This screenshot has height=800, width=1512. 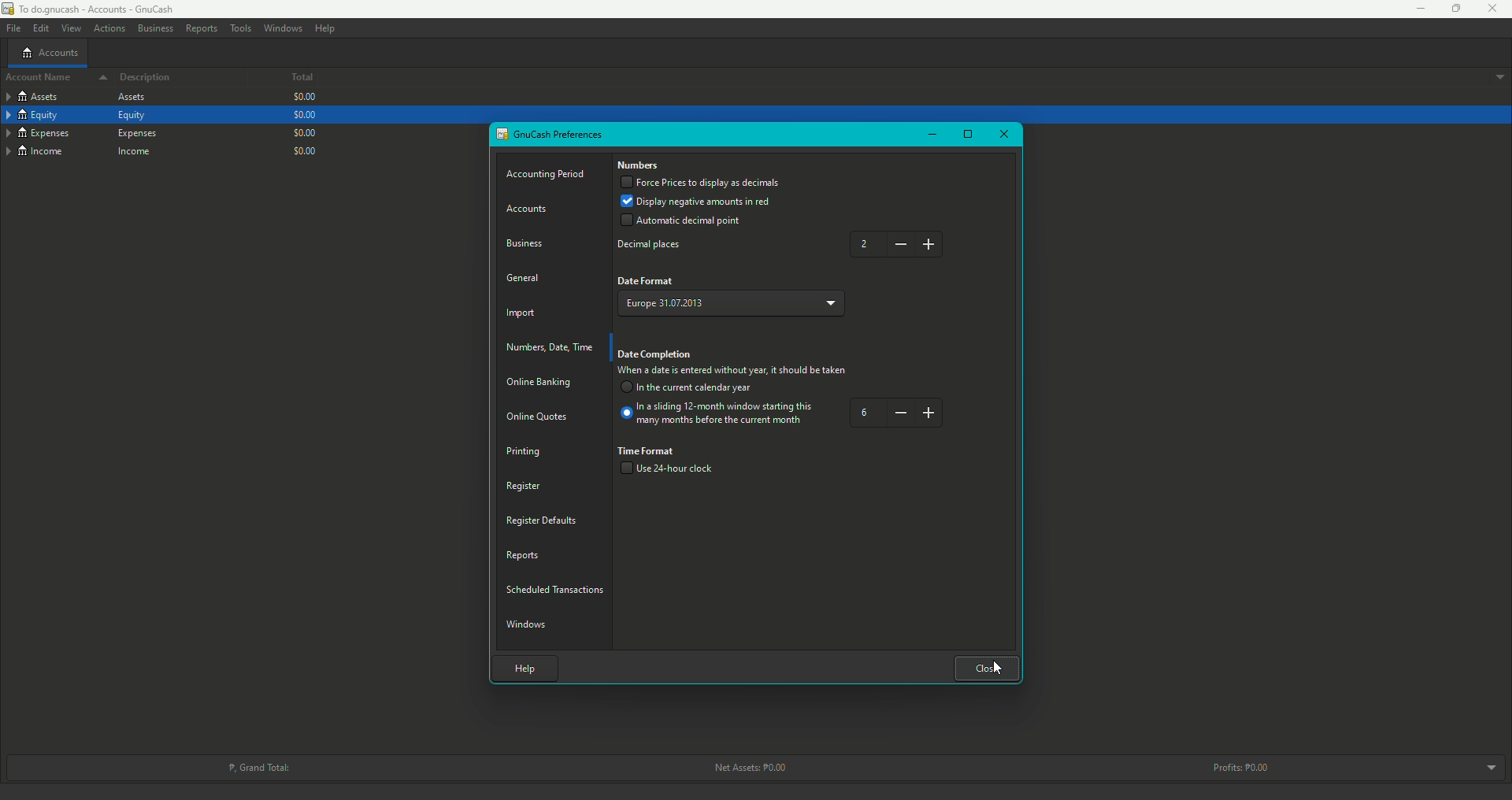 What do you see at coordinates (699, 201) in the screenshot?
I see `Display negative amounts in red` at bounding box center [699, 201].